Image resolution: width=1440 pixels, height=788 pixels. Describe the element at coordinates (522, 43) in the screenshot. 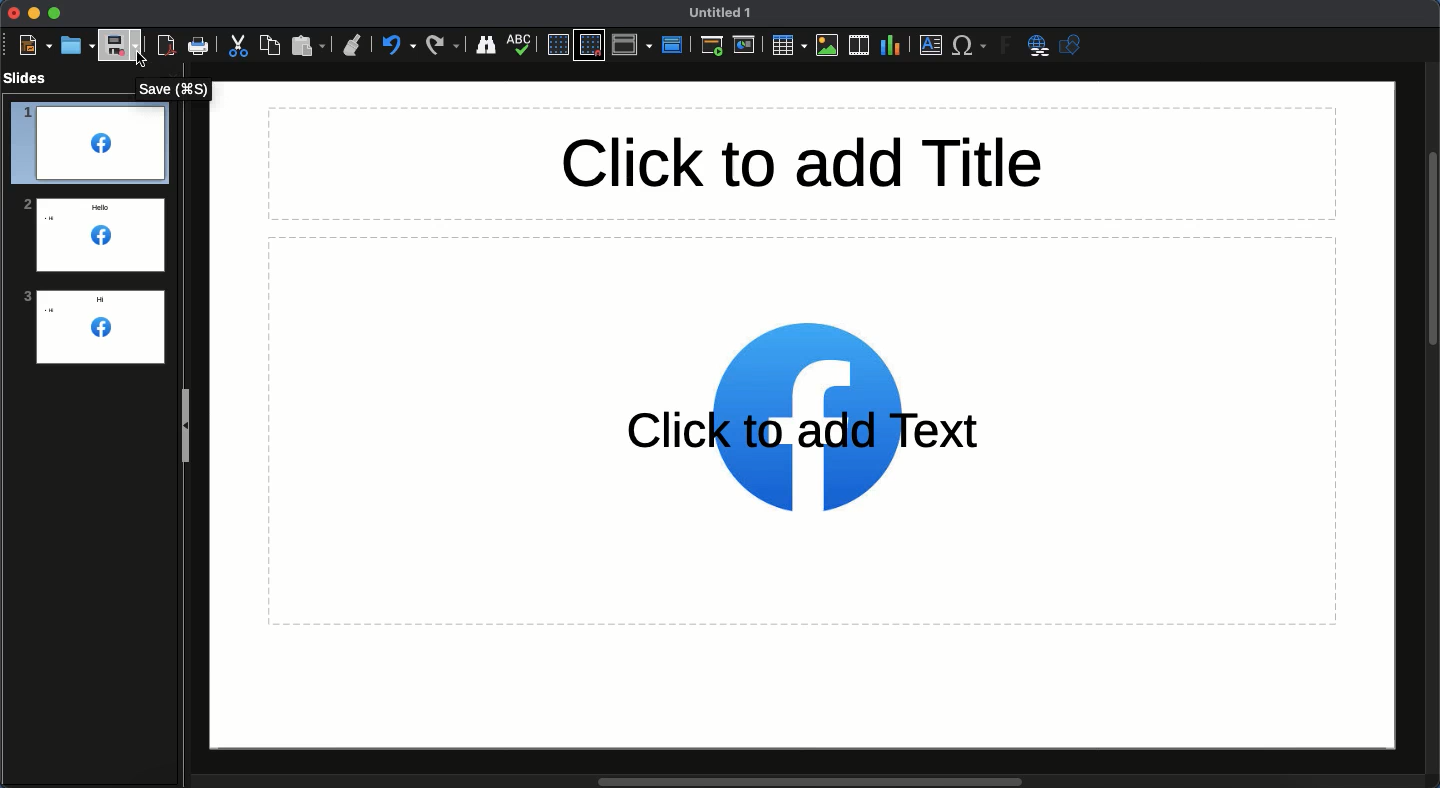

I see `Spelling` at that location.